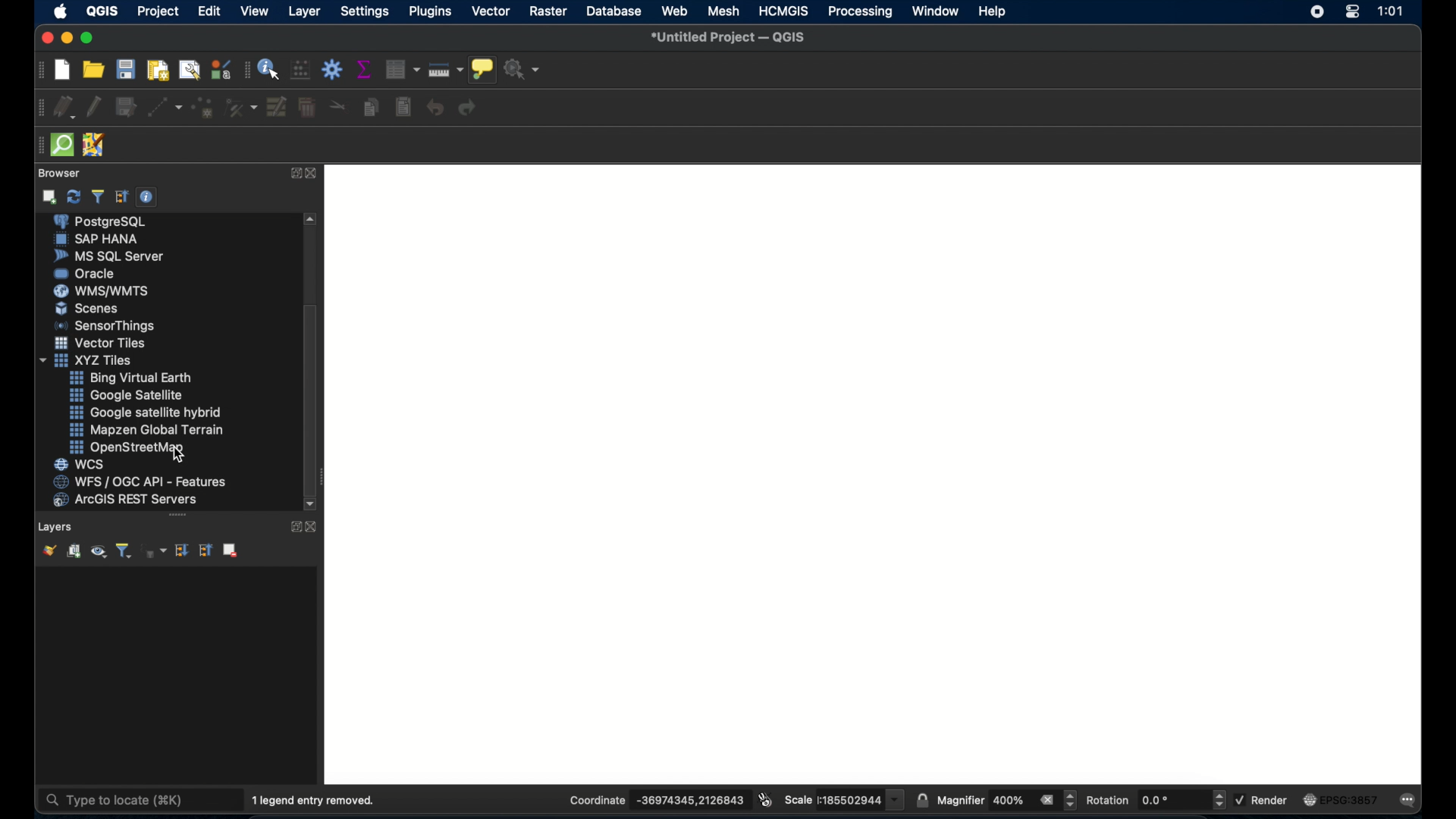  I want to click on redo, so click(469, 109).